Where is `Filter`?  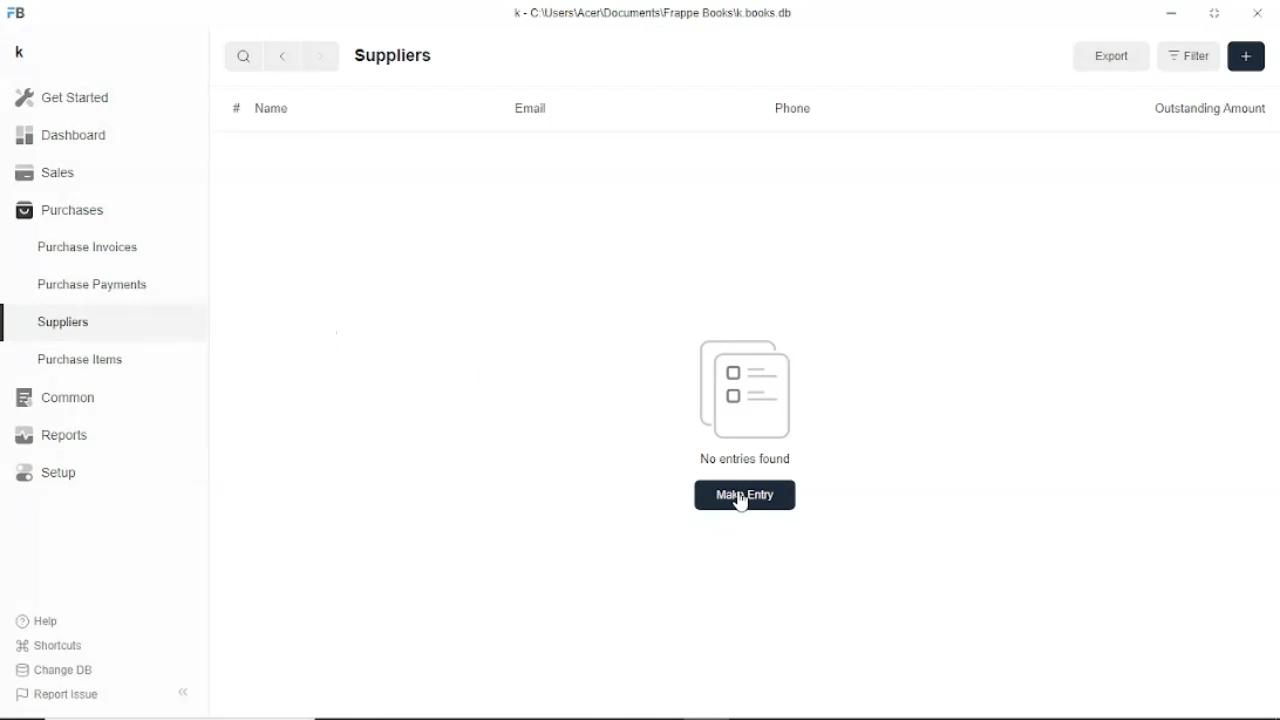
Filter is located at coordinates (1191, 57).